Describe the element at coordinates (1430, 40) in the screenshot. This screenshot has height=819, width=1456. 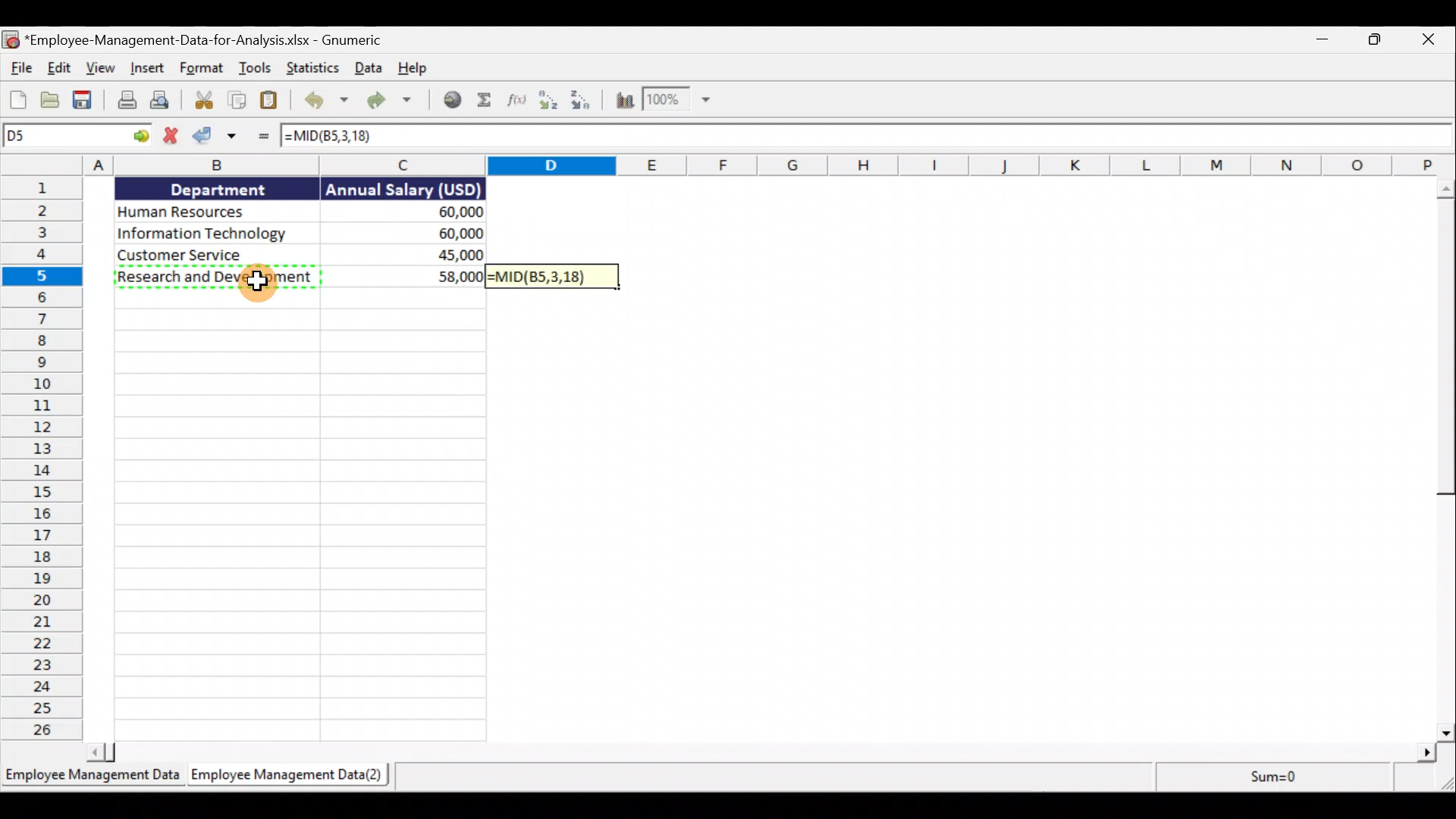
I see `Close` at that location.